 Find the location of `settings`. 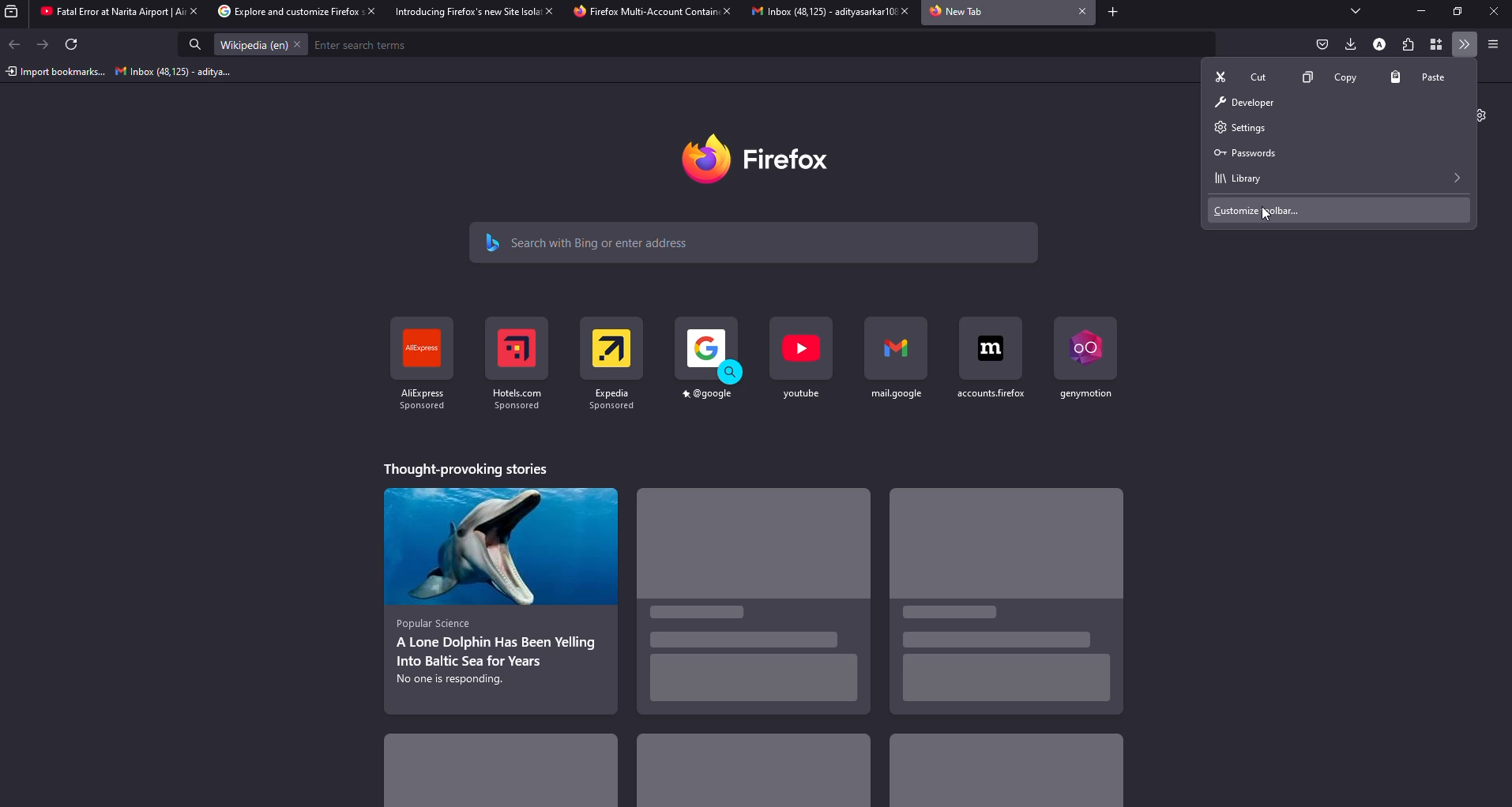

settings is located at coordinates (1238, 126).